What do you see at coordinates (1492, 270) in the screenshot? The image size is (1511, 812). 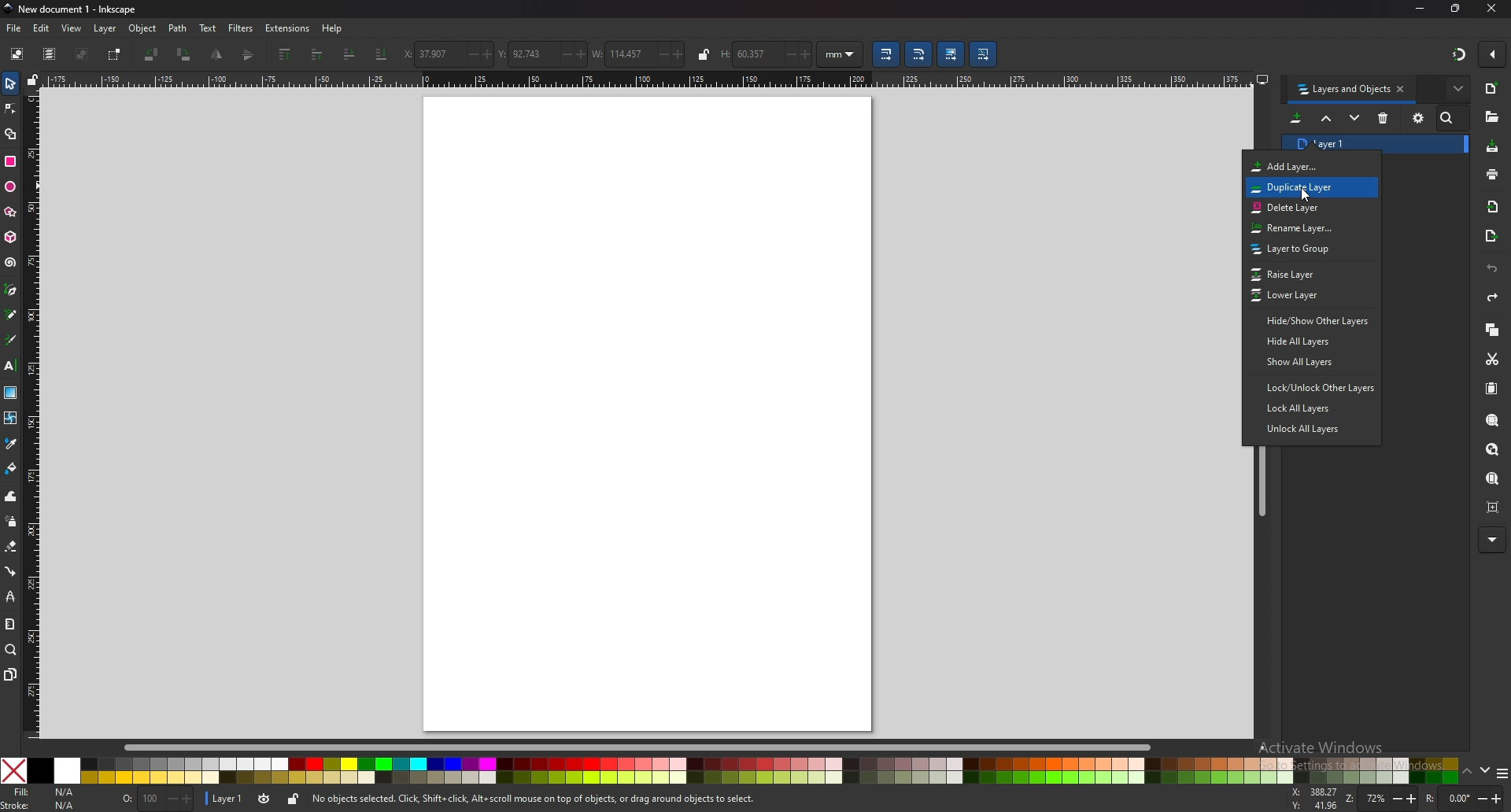 I see `undo` at bounding box center [1492, 270].